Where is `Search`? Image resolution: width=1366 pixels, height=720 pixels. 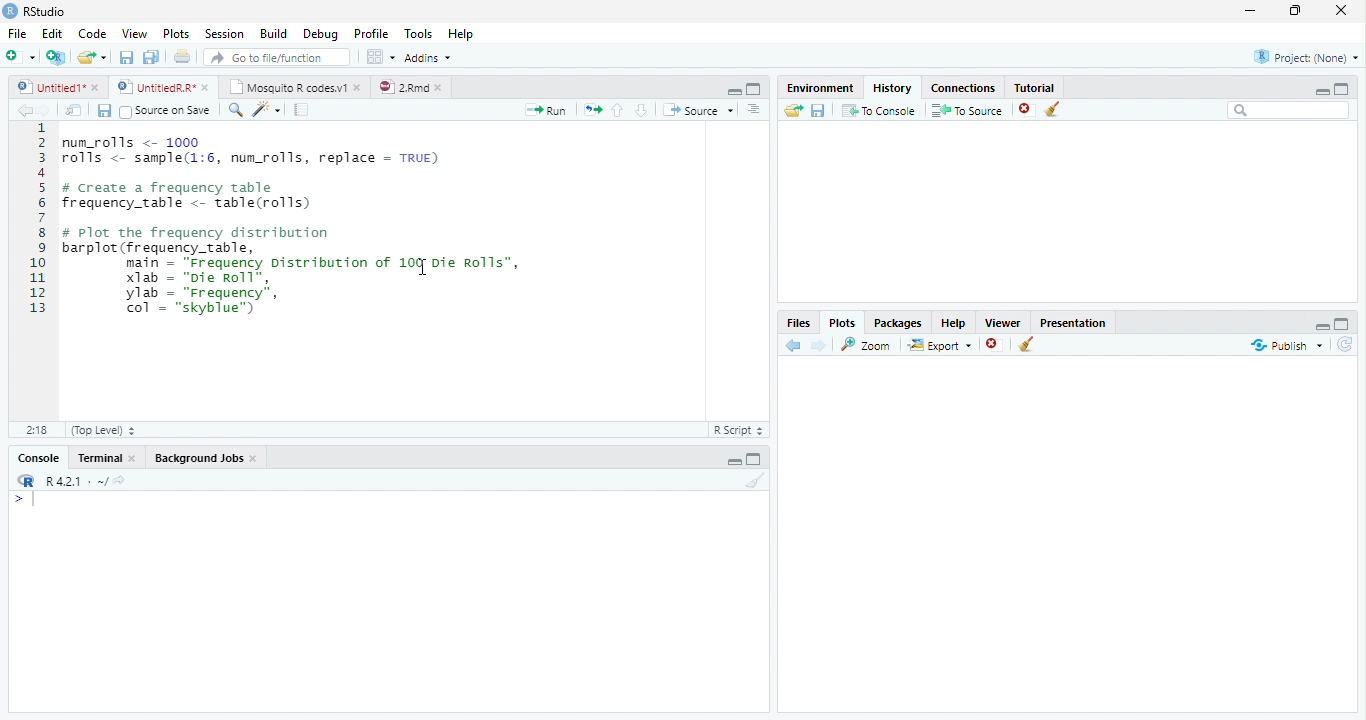
Search is located at coordinates (1287, 110).